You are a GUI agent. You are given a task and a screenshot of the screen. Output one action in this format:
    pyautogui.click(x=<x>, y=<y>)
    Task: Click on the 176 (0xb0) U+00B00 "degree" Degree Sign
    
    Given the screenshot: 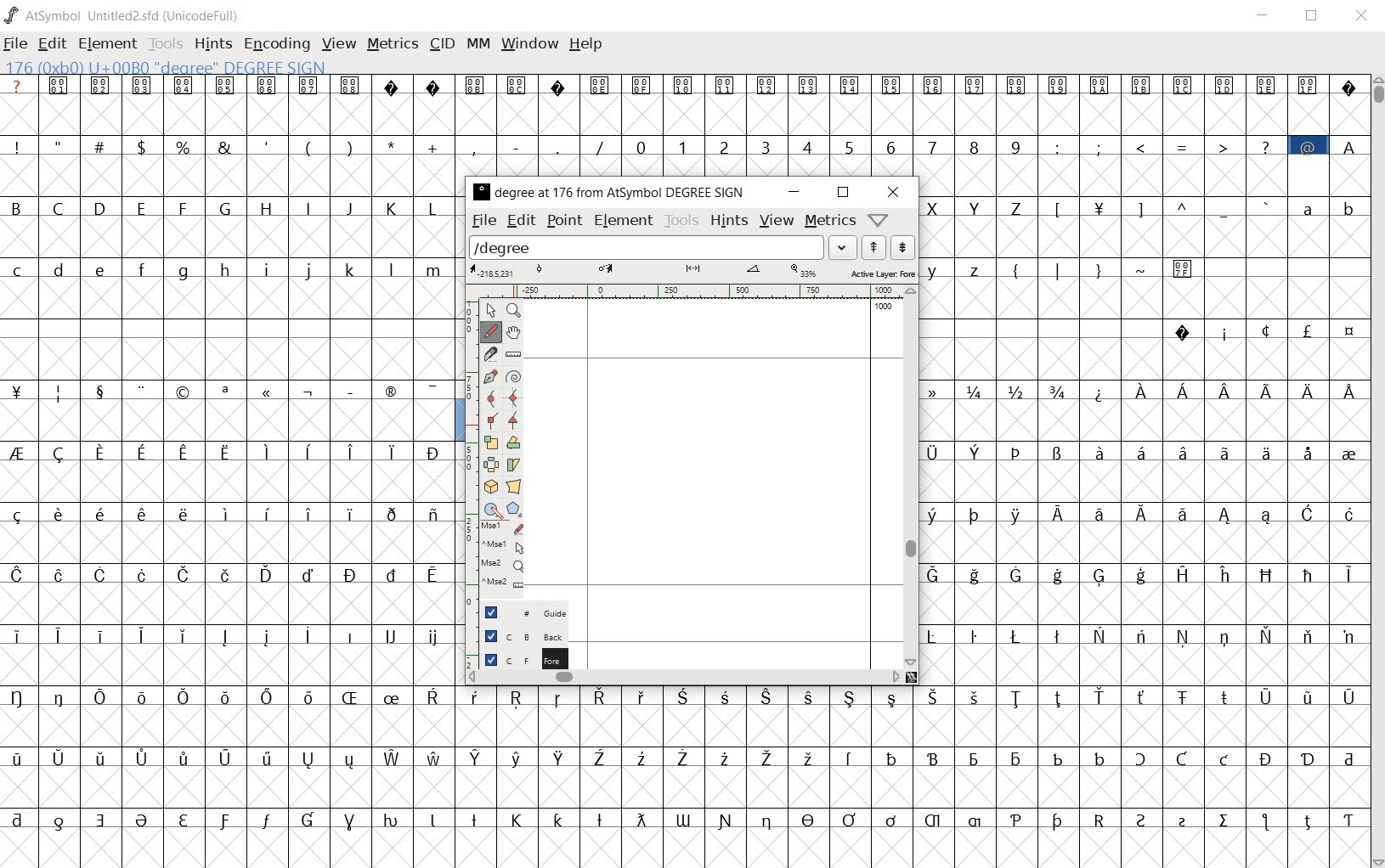 What is the action you would take?
    pyautogui.click(x=170, y=68)
    